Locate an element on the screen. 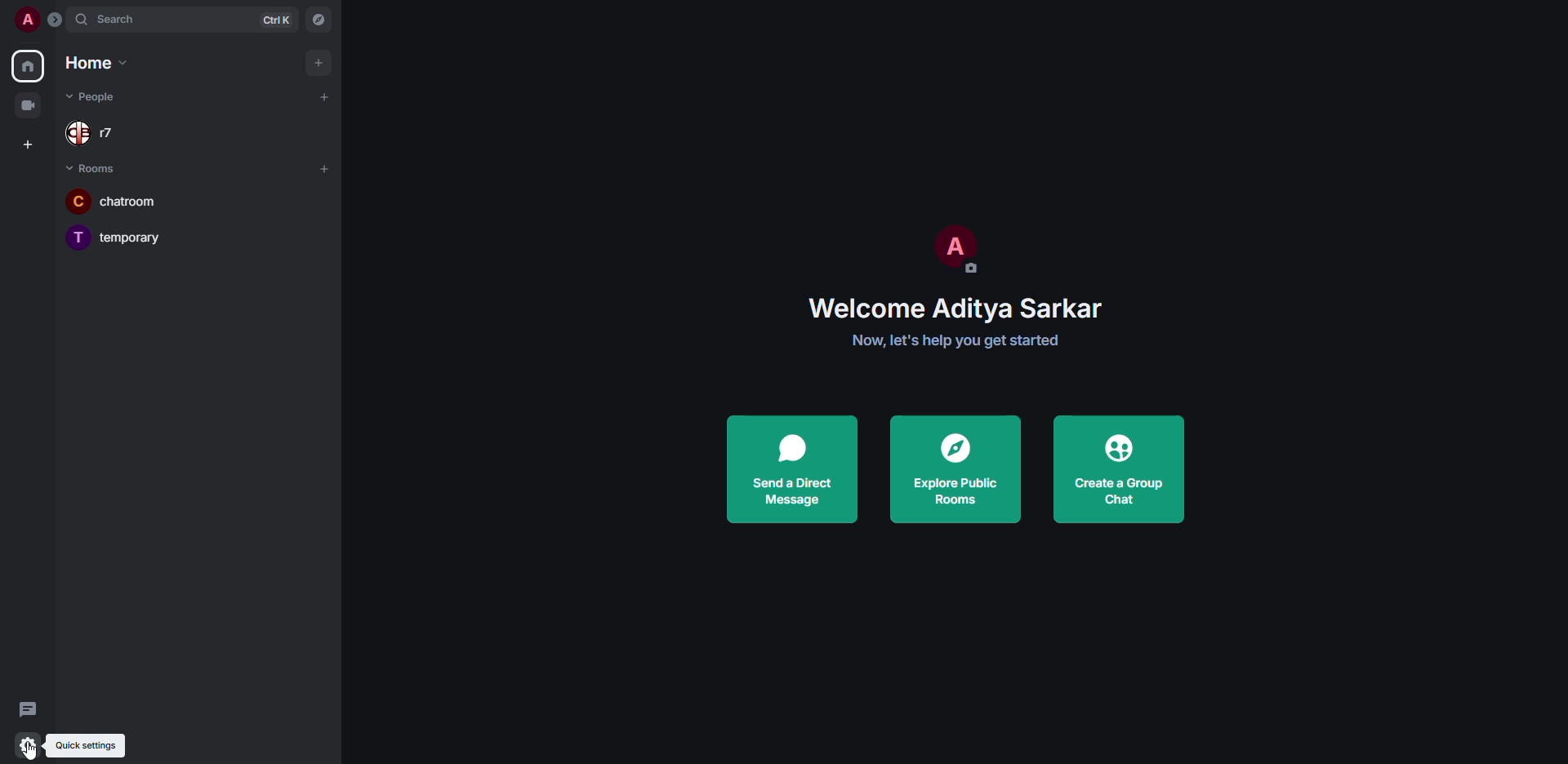 This screenshot has width=1568, height=764. add is located at coordinates (326, 96).